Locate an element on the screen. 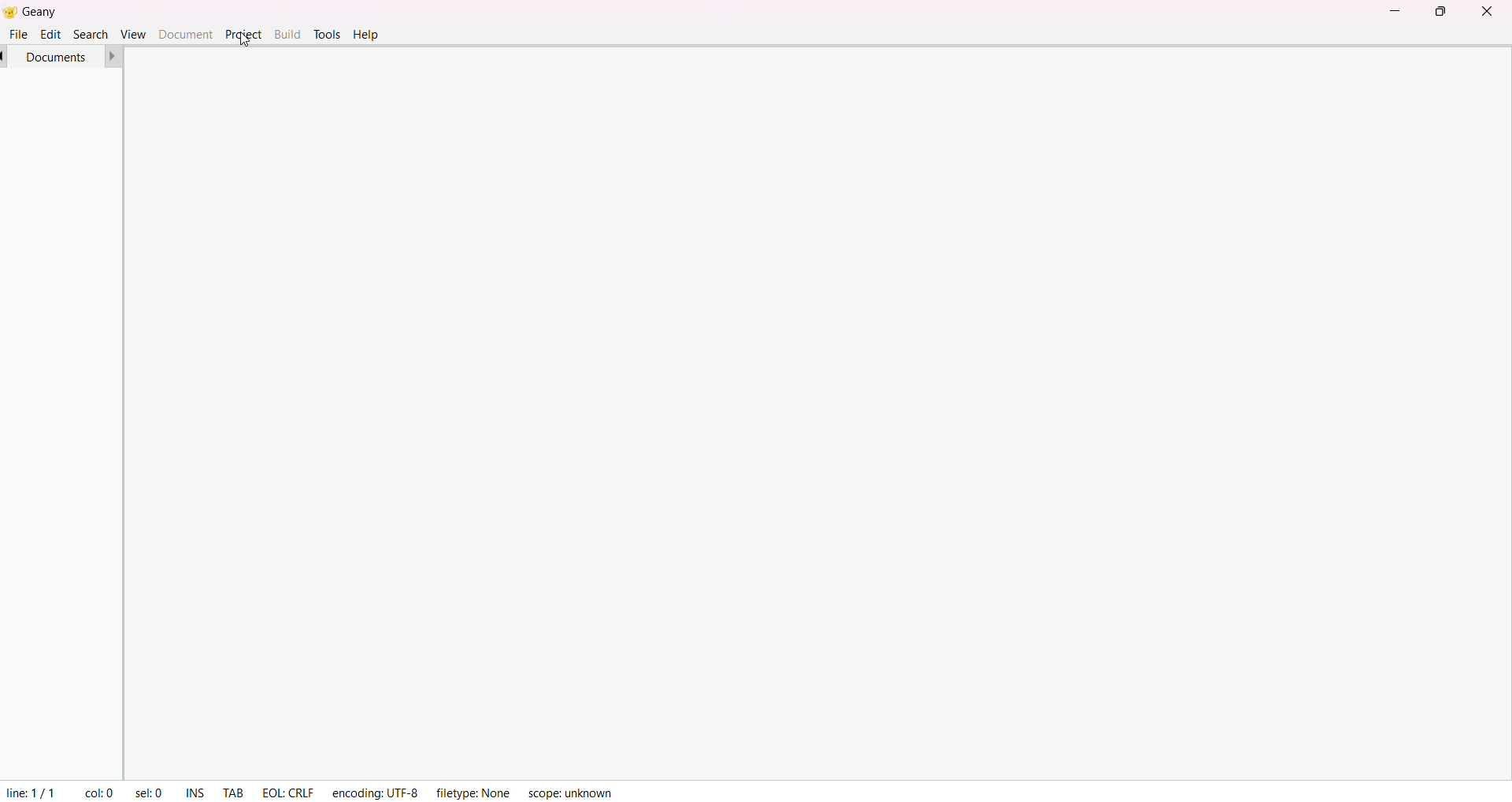 Image resolution: width=1512 pixels, height=802 pixels. build is located at coordinates (287, 32).